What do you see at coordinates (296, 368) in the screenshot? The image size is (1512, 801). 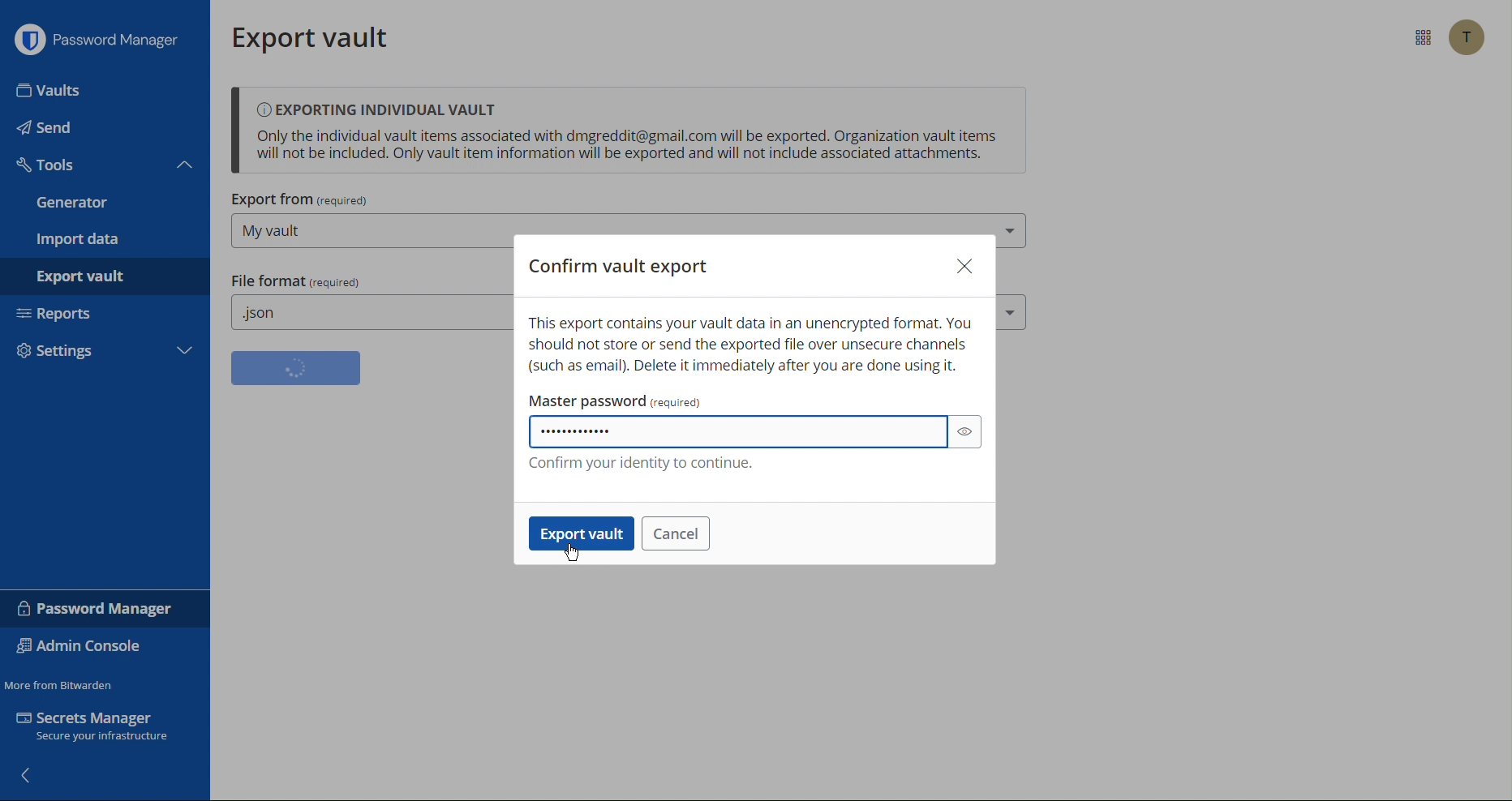 I see `Confirm format` at bounding box center [296, 368].